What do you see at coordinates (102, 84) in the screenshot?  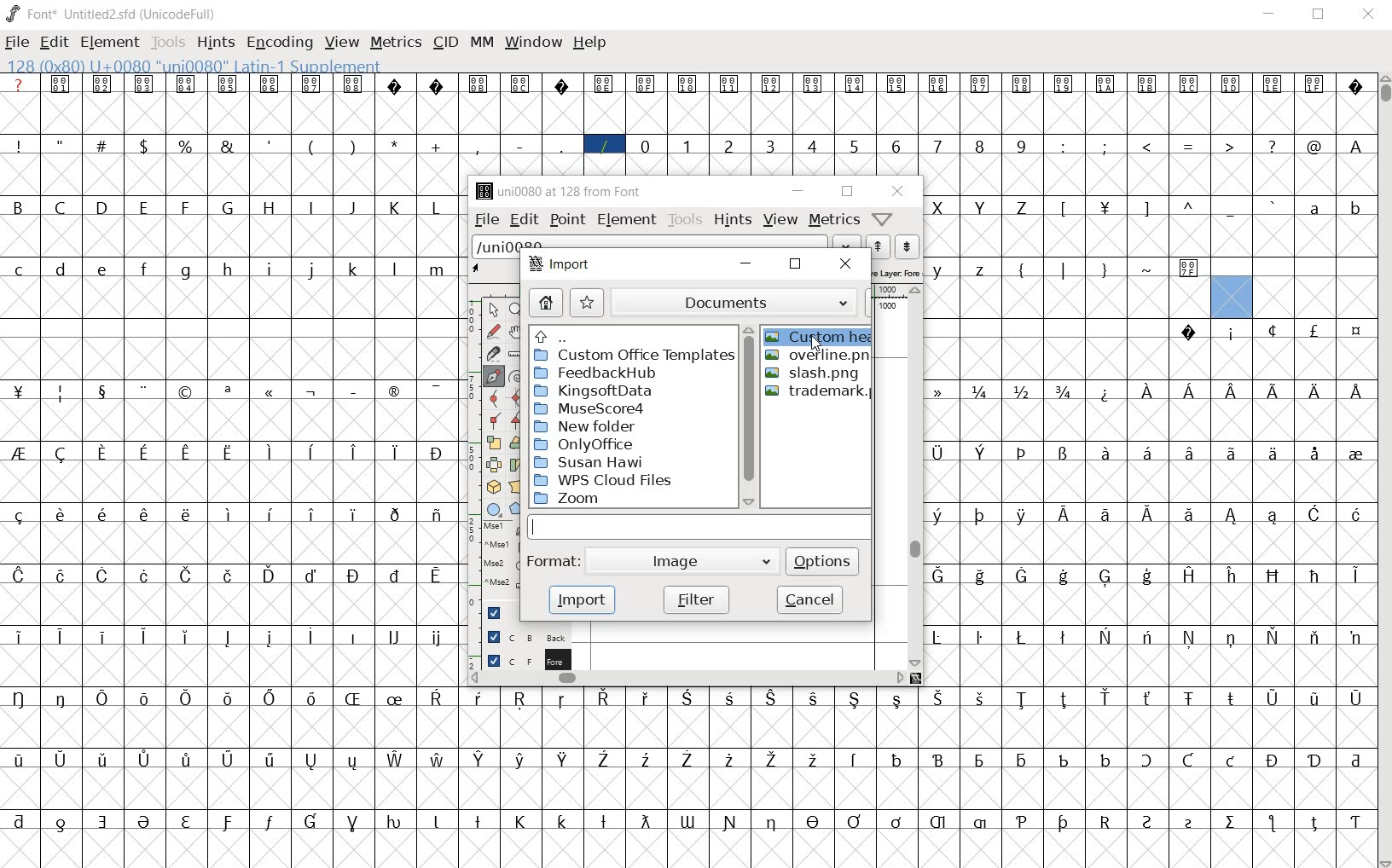 I see `glyph` at bounding box center [102, 84].